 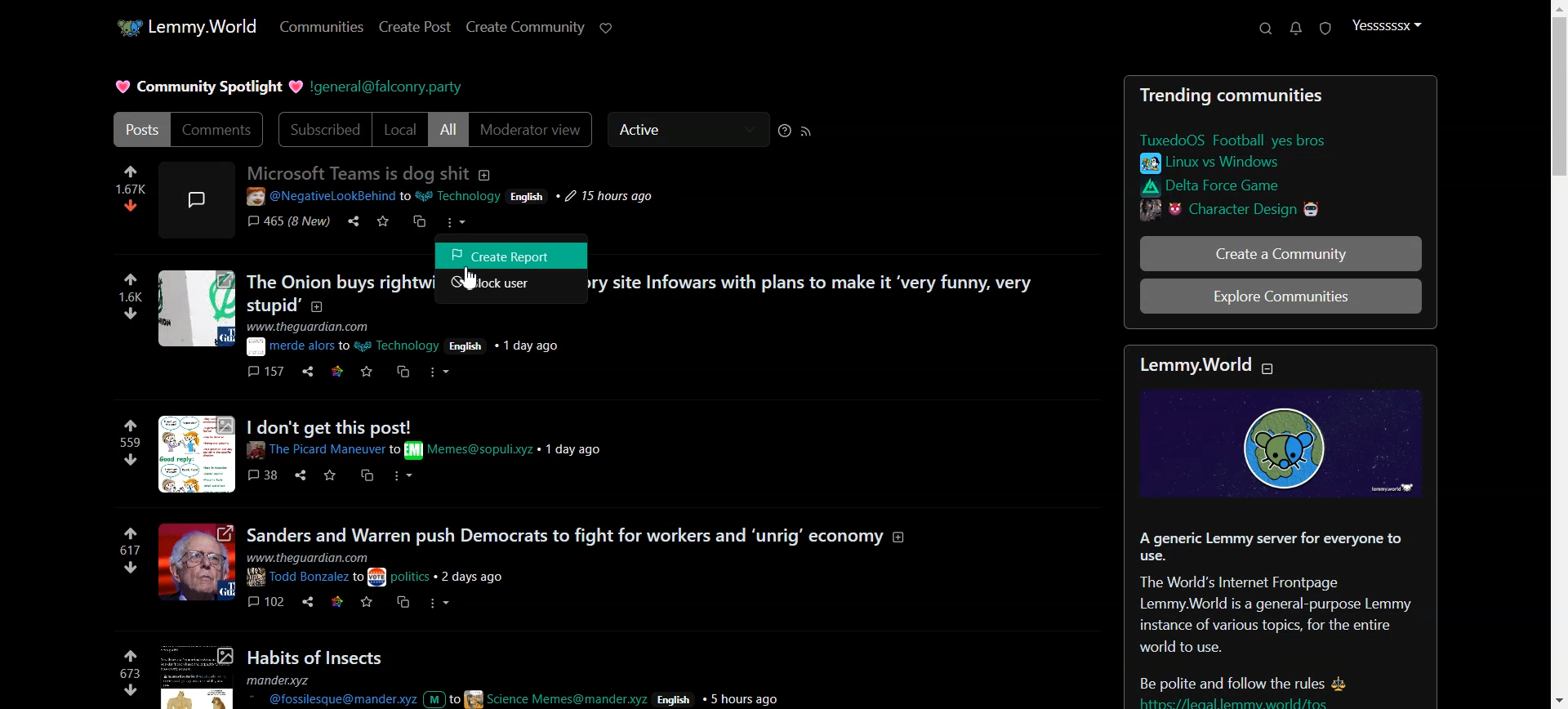 What do you see at coordinates (131, 280) in the screenshot?
I see `like` at bounding box center [131, 280].